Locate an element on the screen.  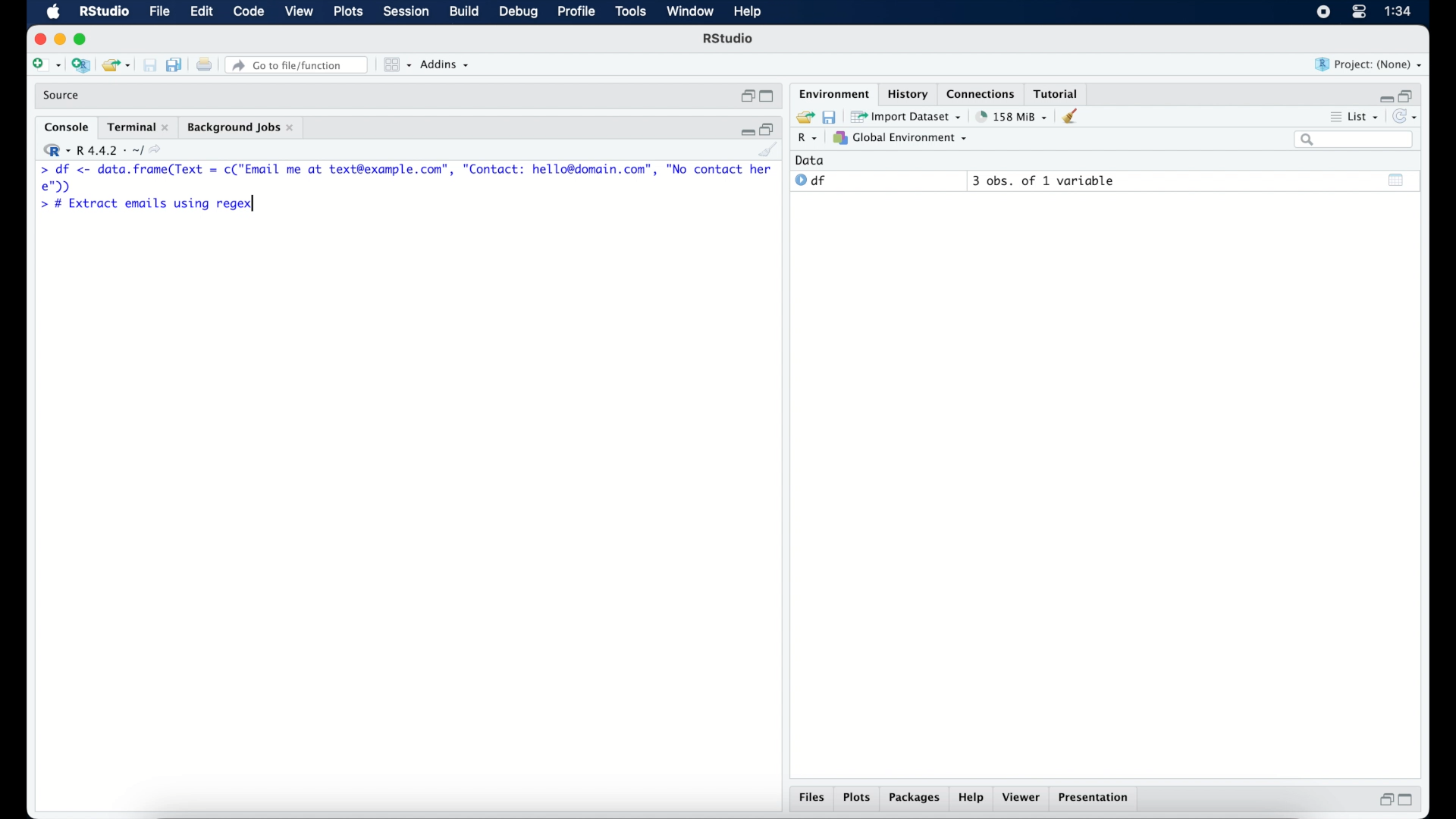
view in panes is located at coordinates (396, 65).